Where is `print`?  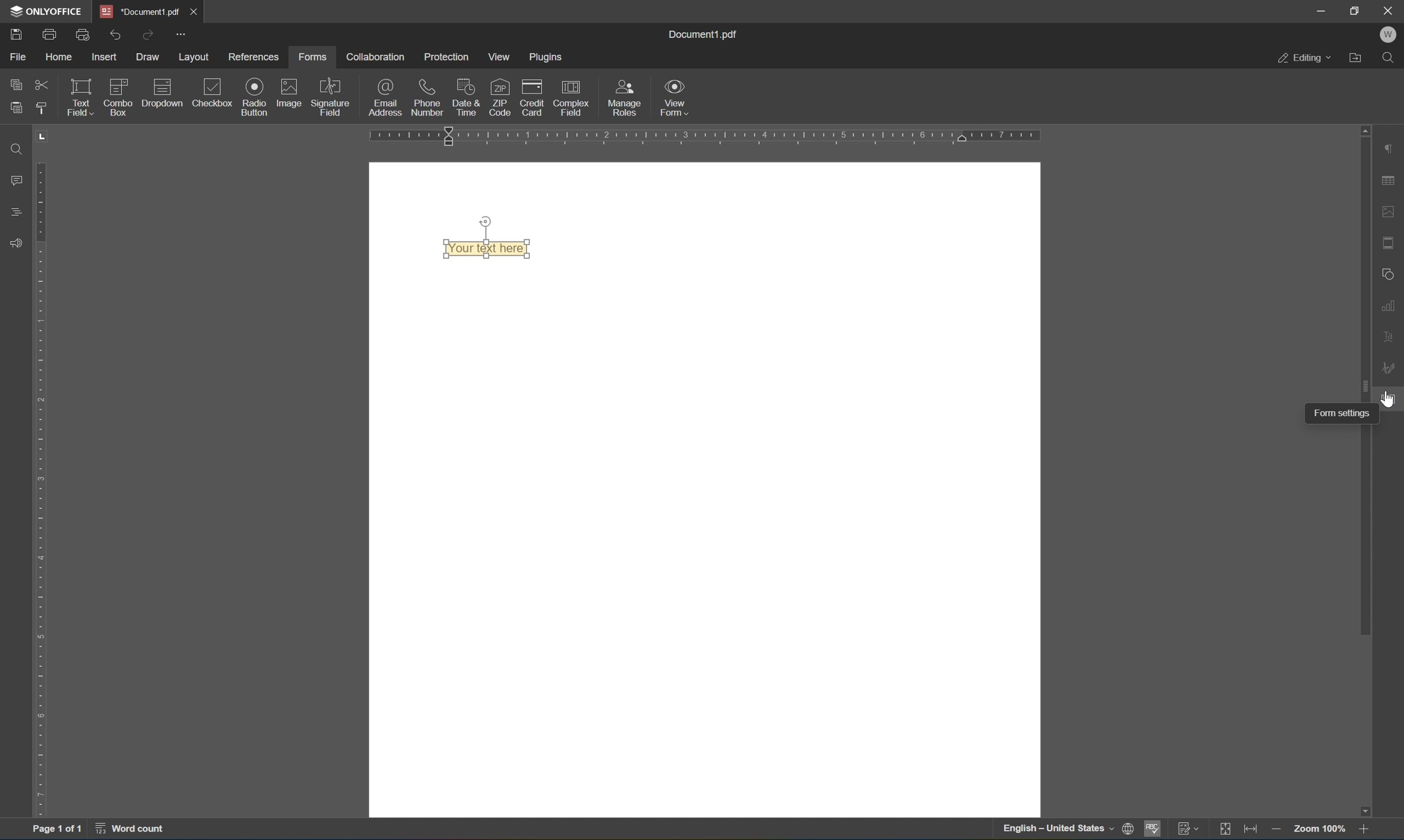
print is located at coordinates (50, 36).